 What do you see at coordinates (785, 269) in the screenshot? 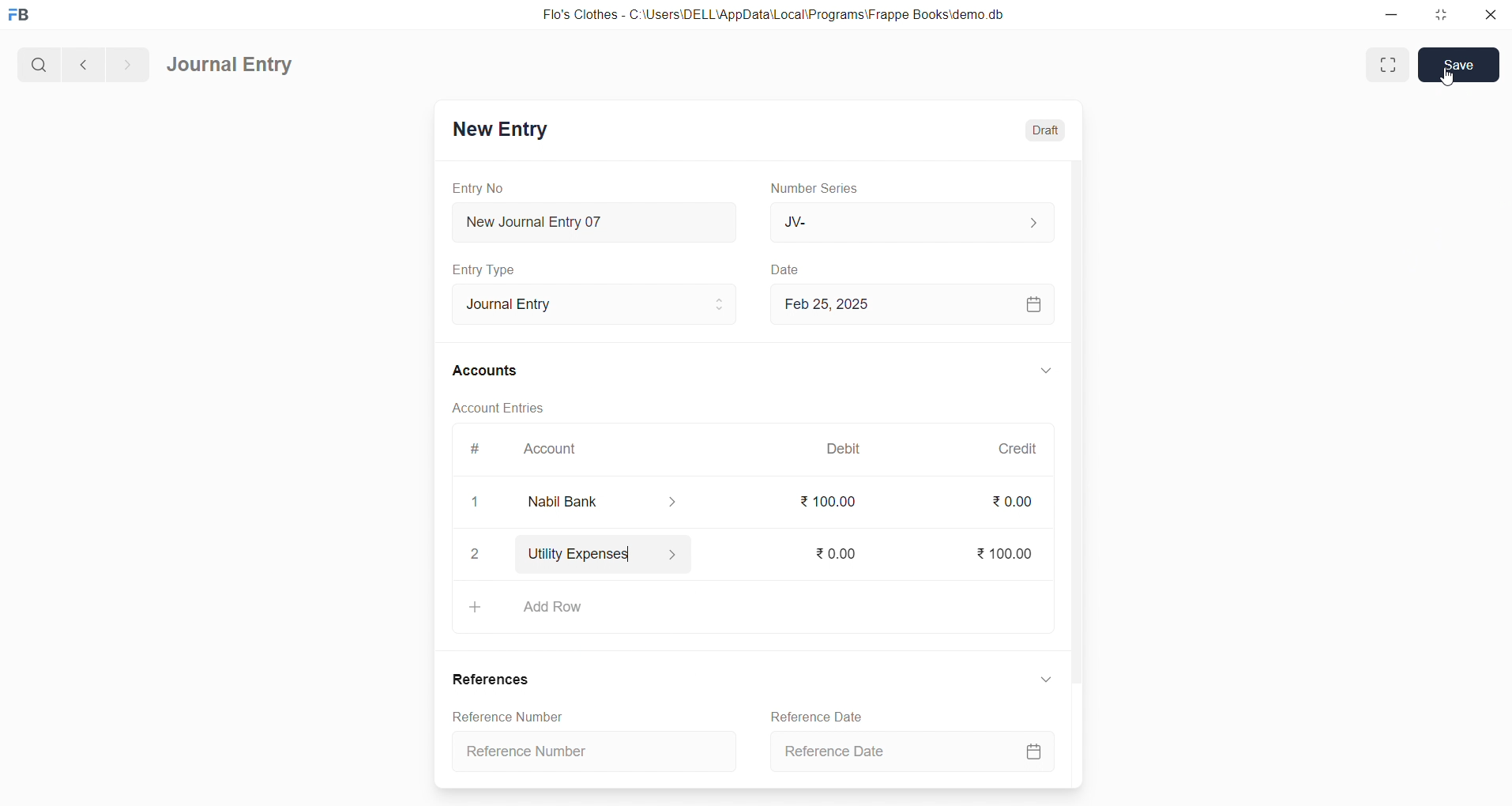
I see `Date` at bounding box center [785, 269].